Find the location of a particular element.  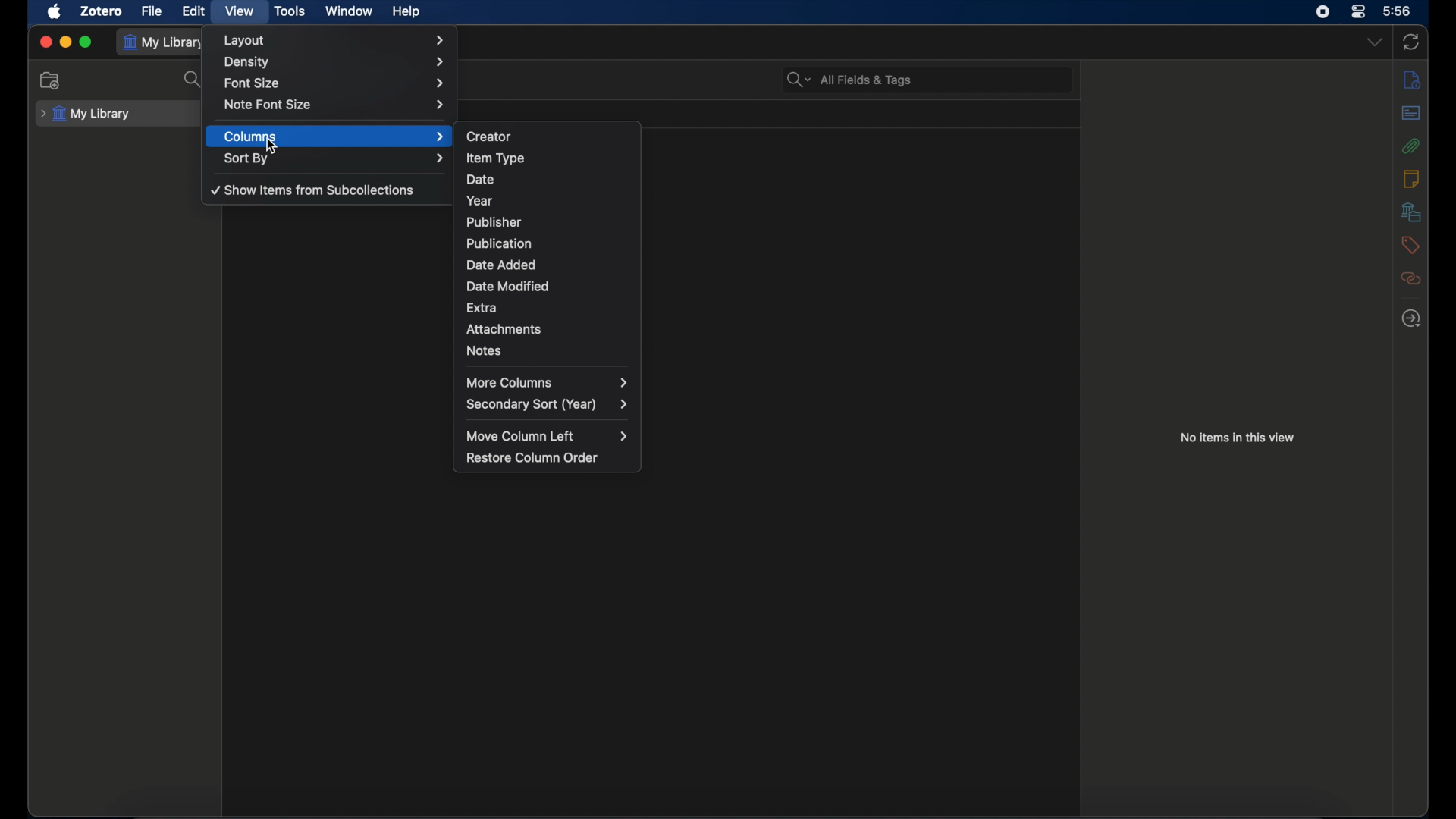

screen recorder  is located at coordinates (1323, 11).